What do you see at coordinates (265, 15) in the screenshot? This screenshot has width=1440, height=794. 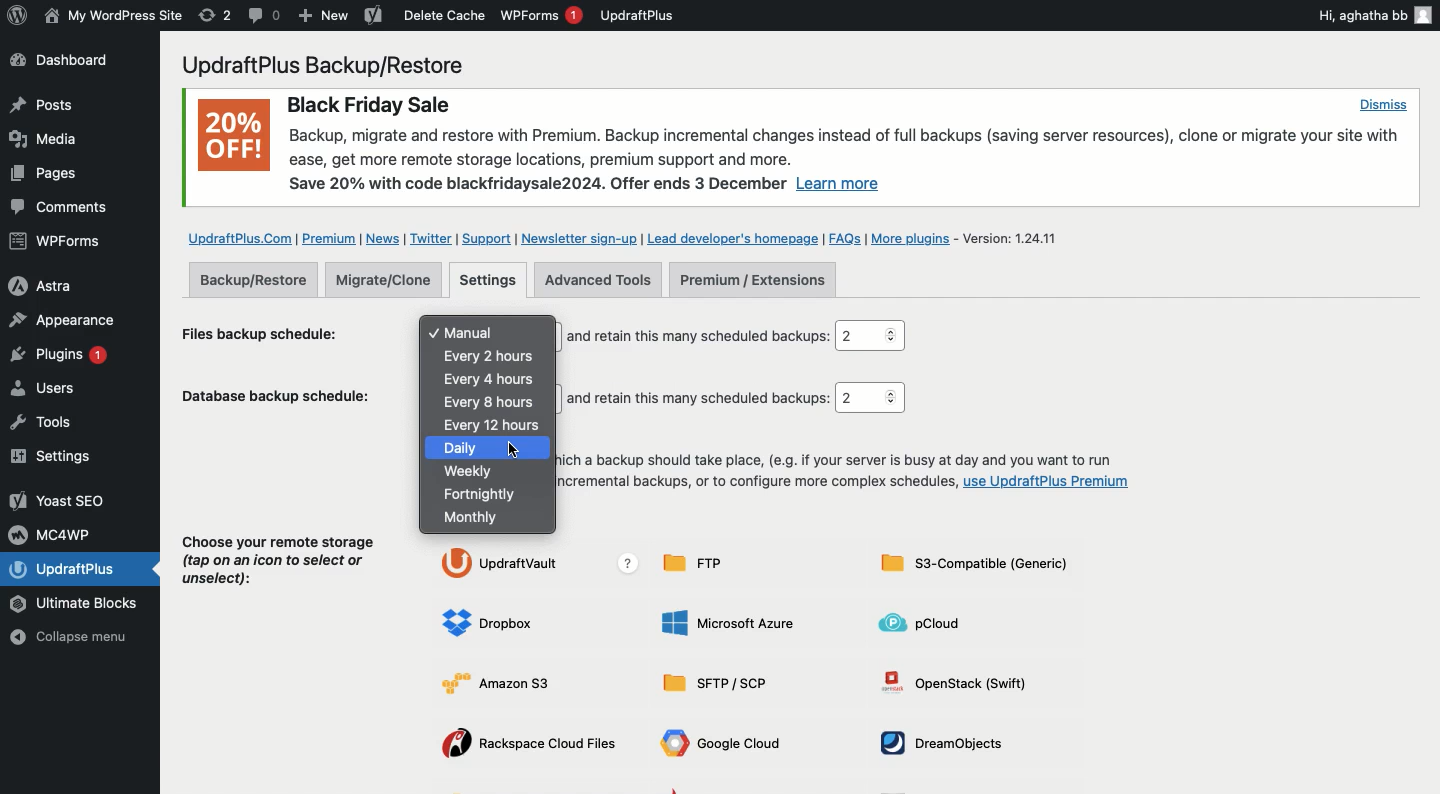 I see `Comment 0` at bounding box center [265, 15].